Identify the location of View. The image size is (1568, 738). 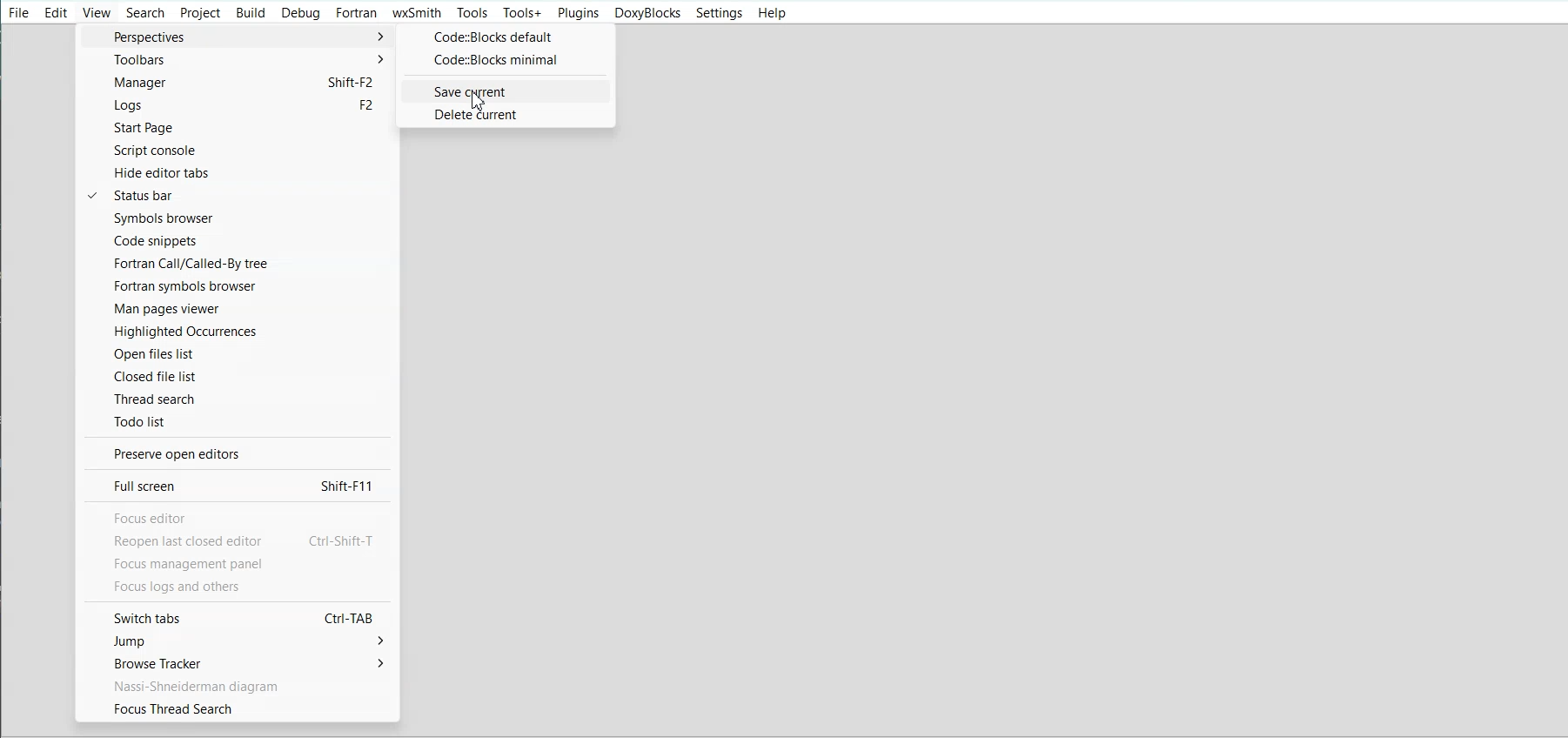
(97, 12).